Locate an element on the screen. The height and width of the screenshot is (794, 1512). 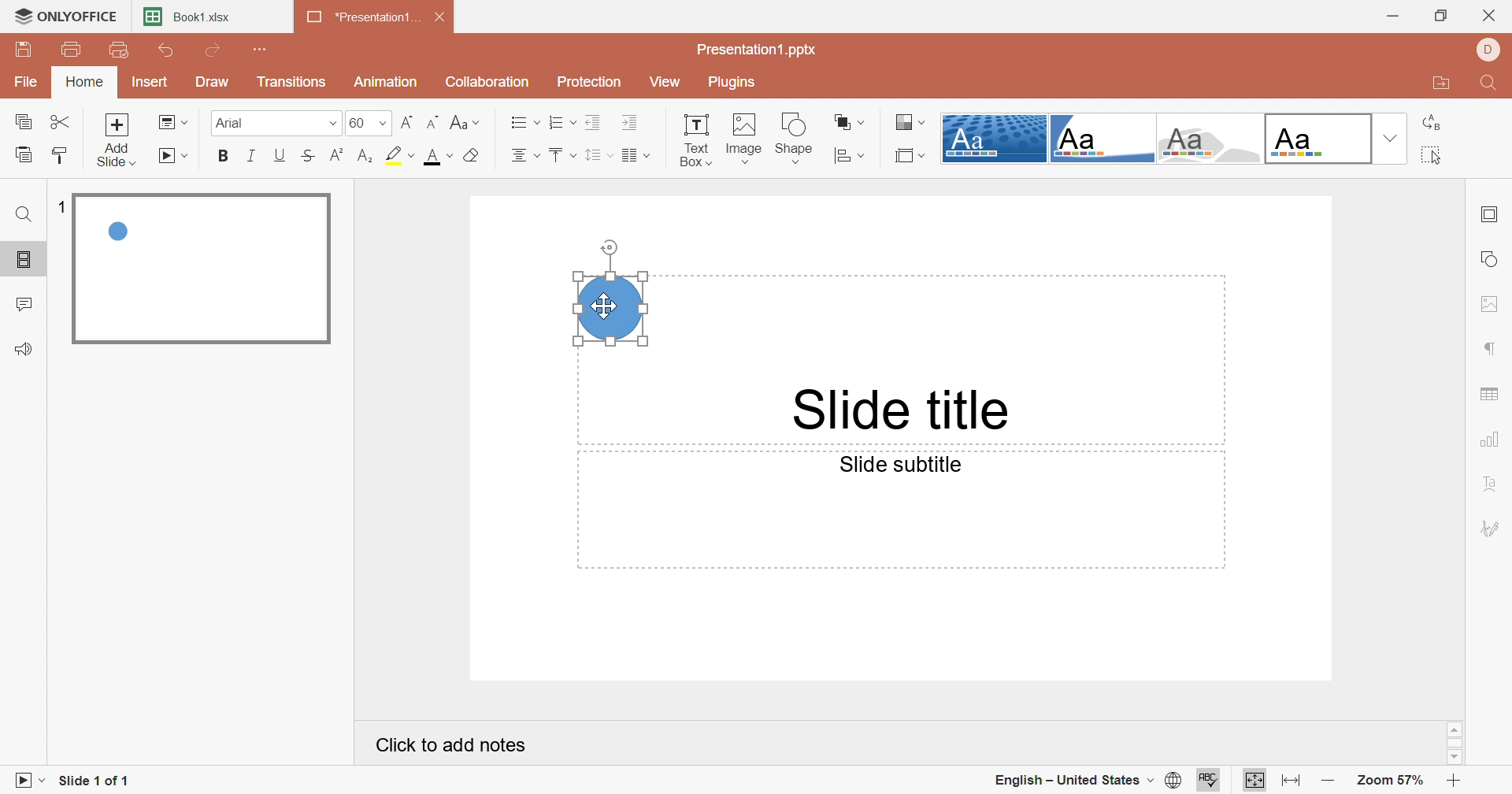
Book1.xlsx is located at coordinates (188, 16).